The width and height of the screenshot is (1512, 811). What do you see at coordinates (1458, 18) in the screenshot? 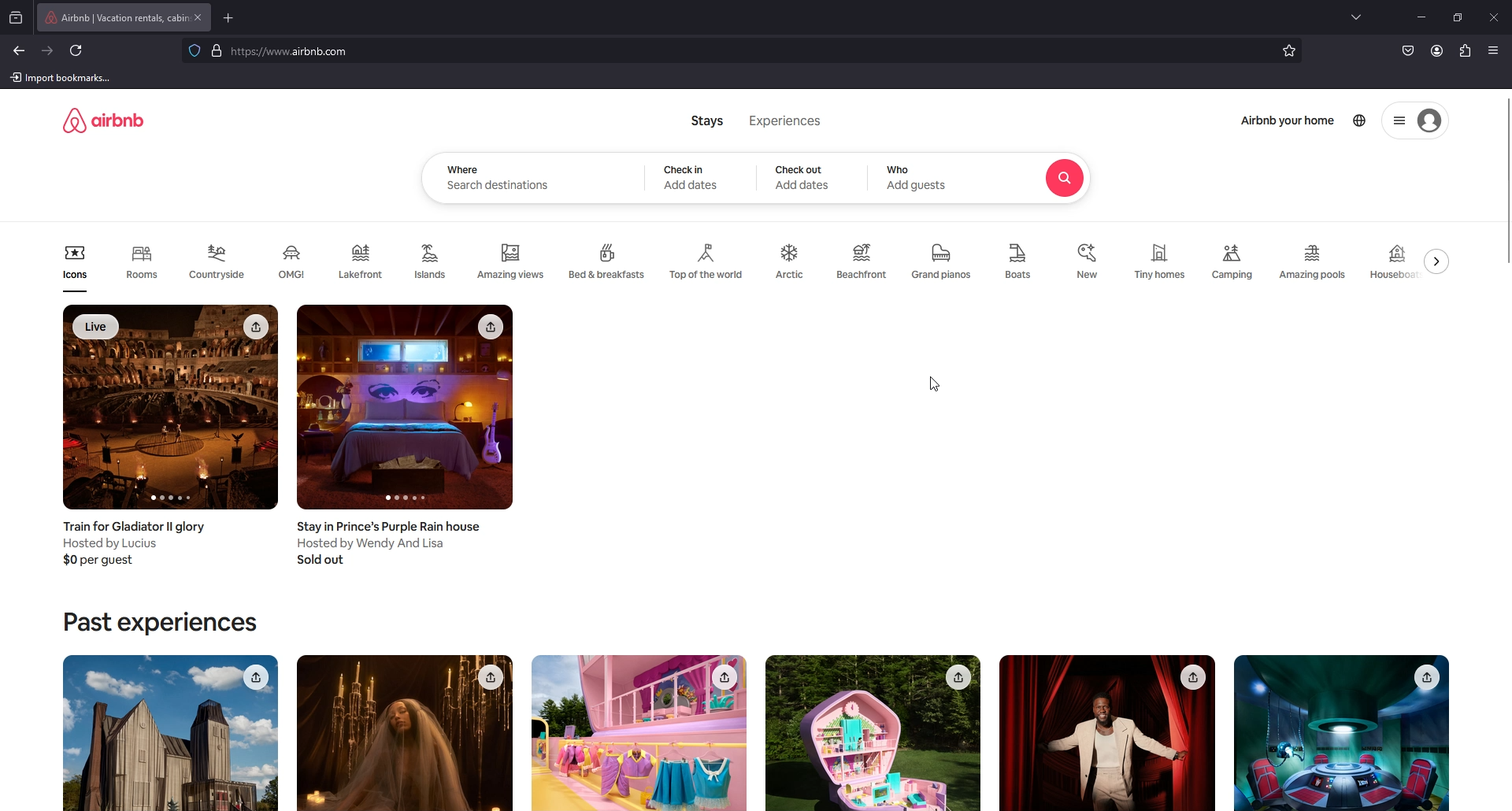
I see `resize` at bounding box center [1458, 18].